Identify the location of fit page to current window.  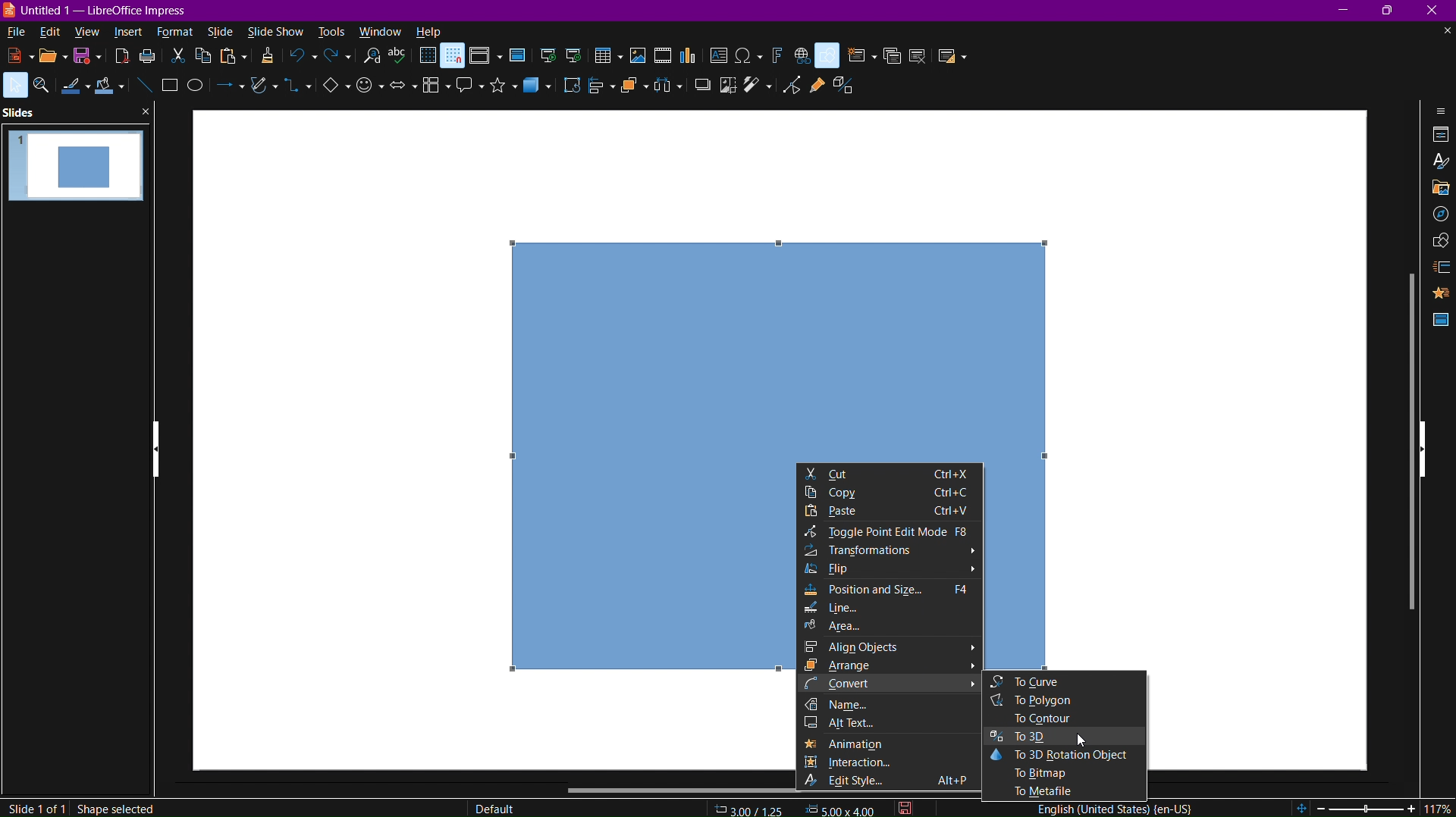
(1301, 808).